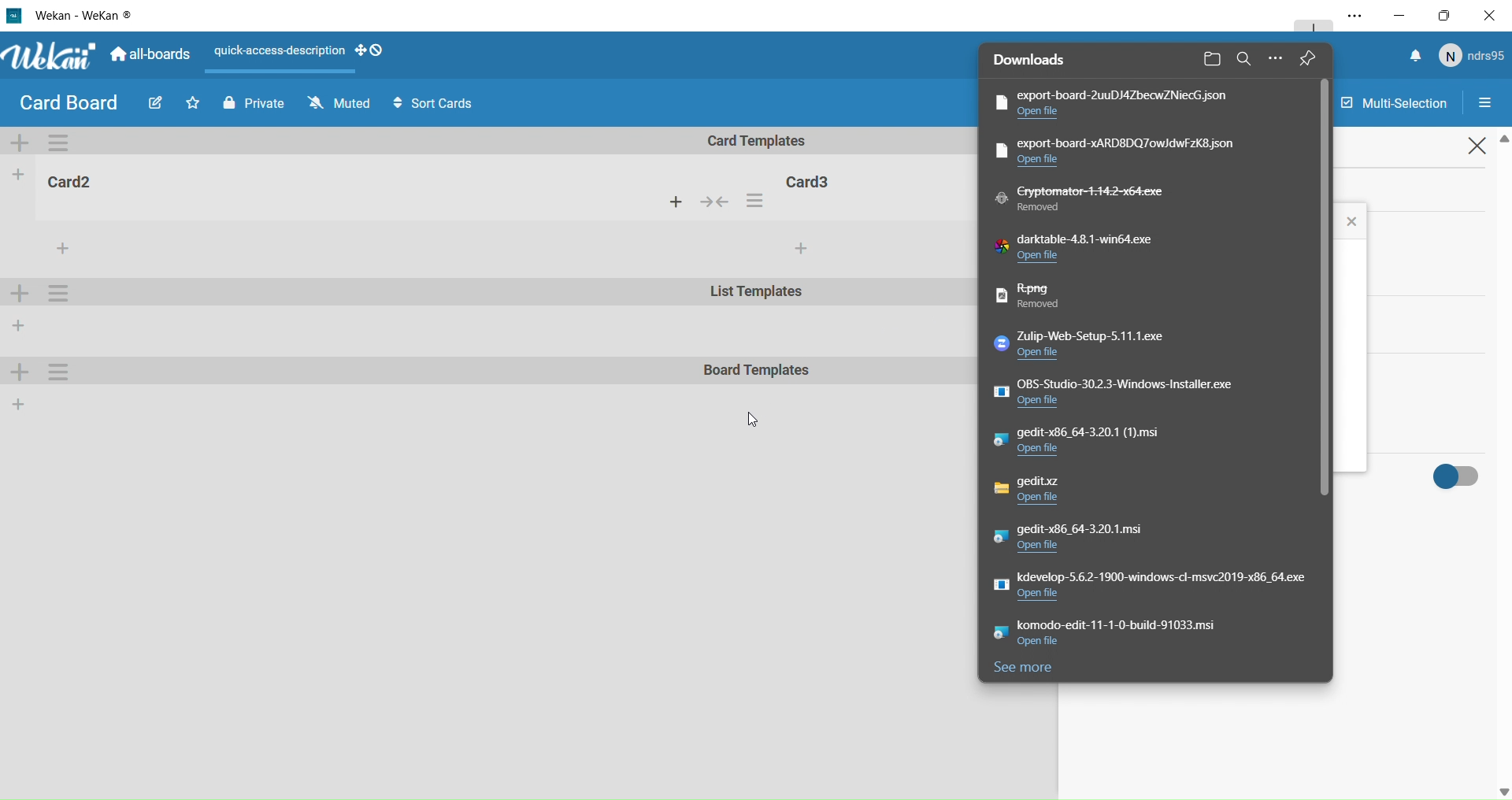 The height and width of the screenshot is (800, 1512). I want to click on desktop drag handles, so click(372, 50).